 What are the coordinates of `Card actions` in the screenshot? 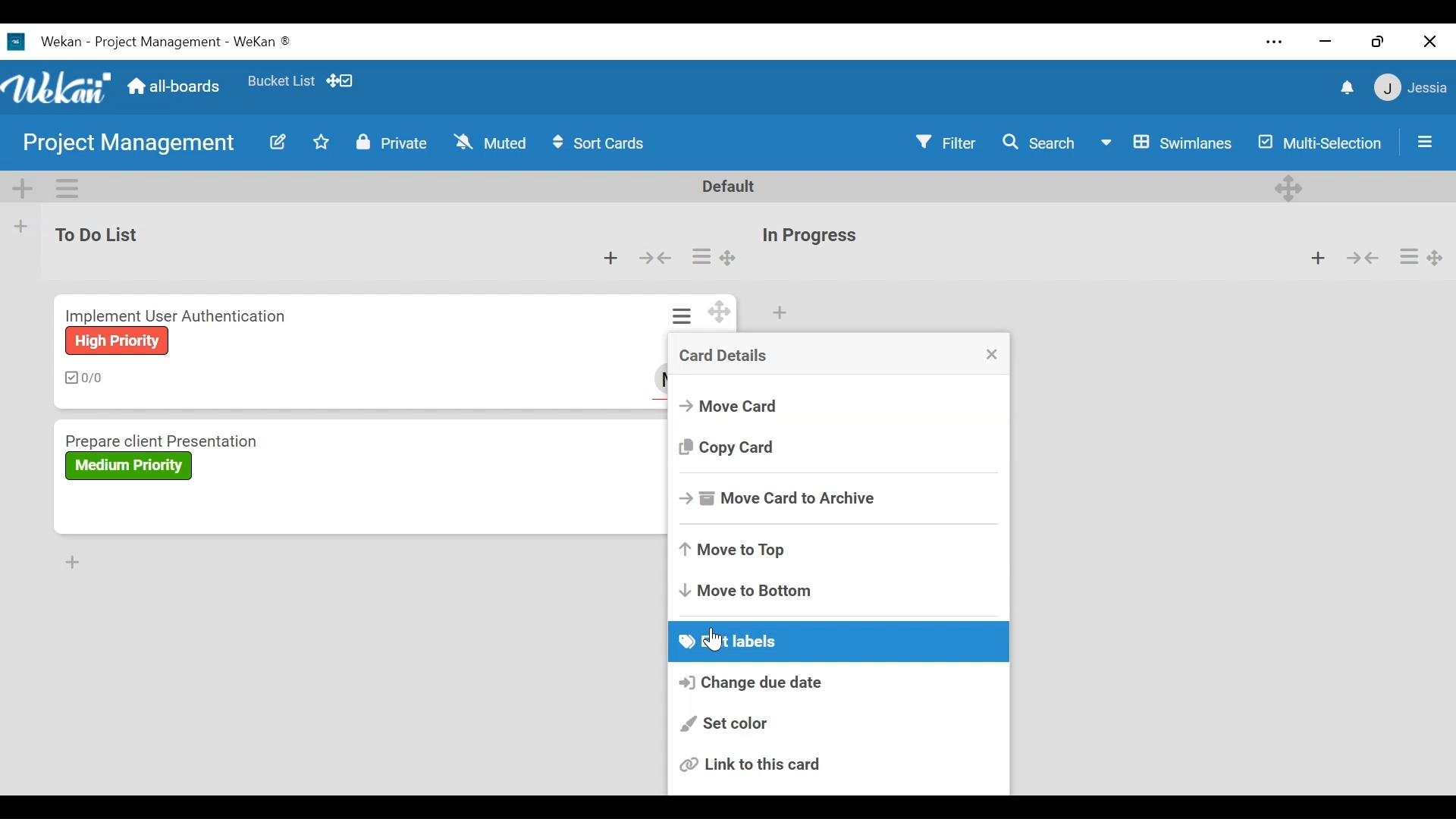 It's located at (684, 315).